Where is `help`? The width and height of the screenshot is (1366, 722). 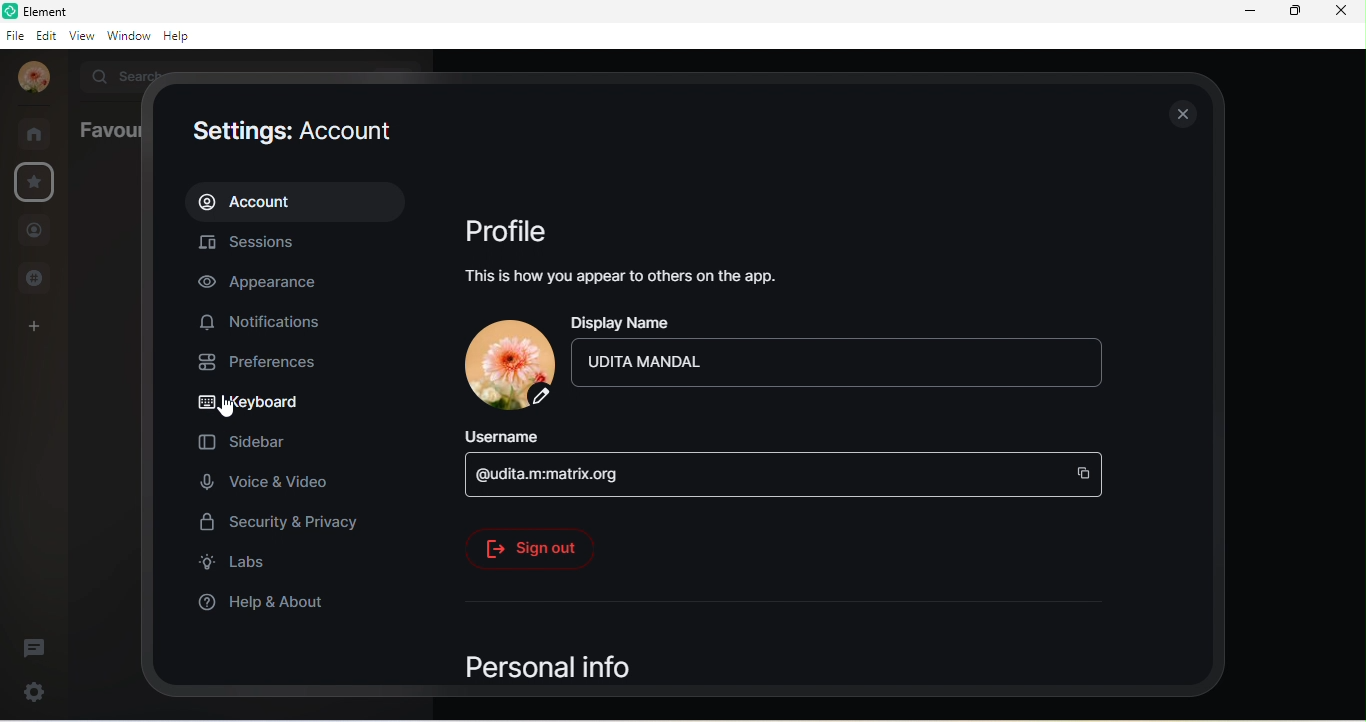 help is located at coordinates (180, 34).